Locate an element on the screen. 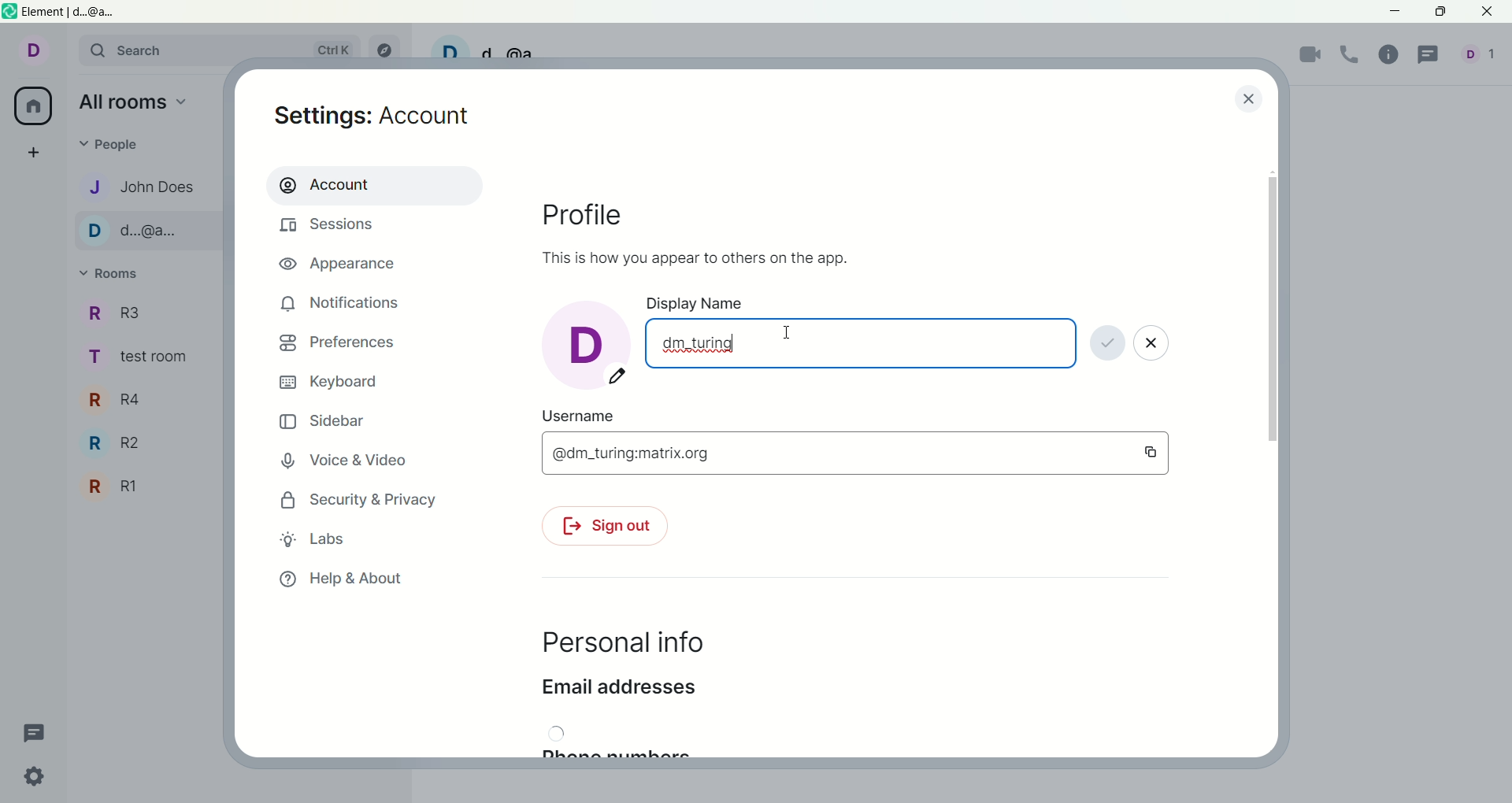 The width and height of the screenshot is (1512, 803). labs is located at coordinates (314, 538).